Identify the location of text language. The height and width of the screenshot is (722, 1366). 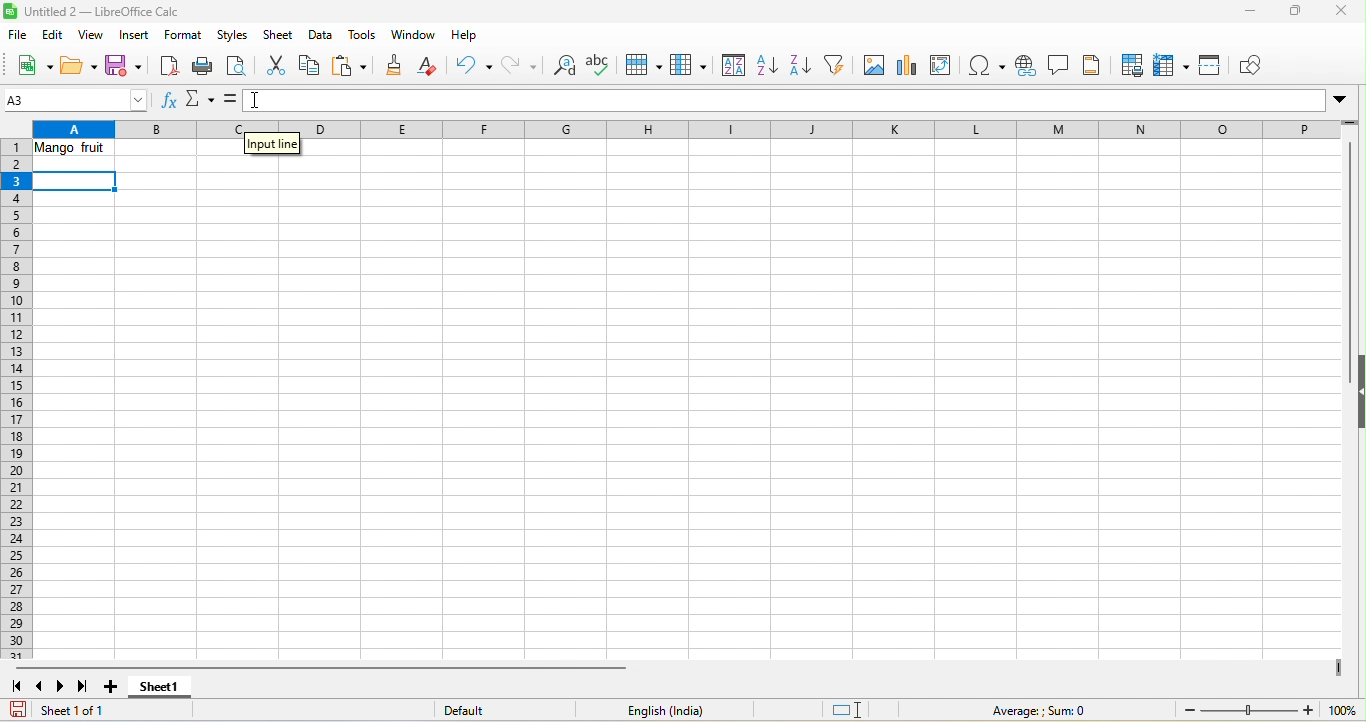
(666, 709).